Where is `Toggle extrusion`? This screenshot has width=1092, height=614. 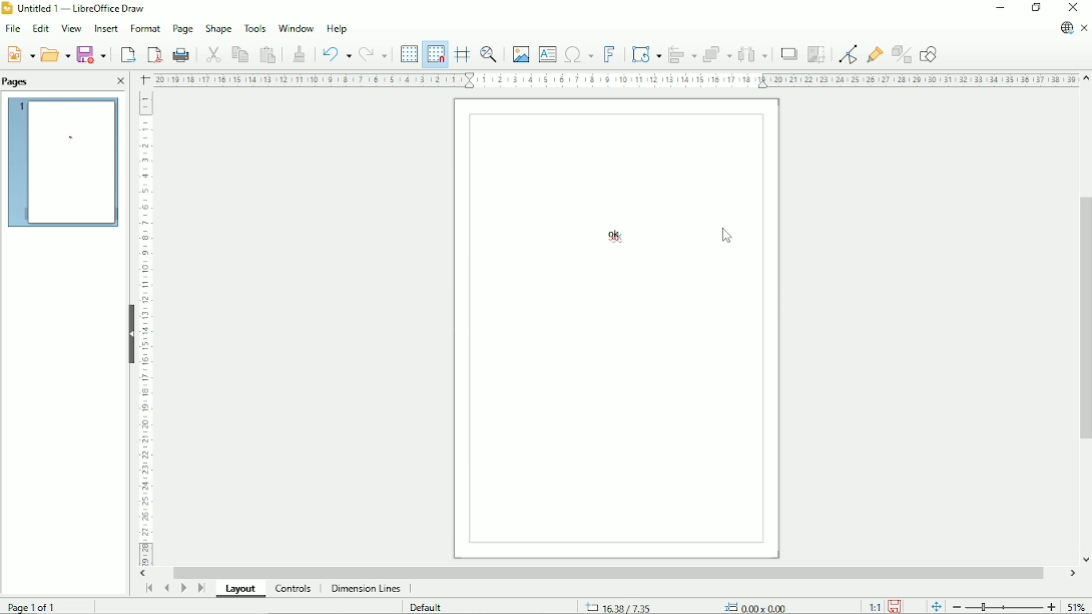 Toggle extrusion is located at coordinates (902, 54).